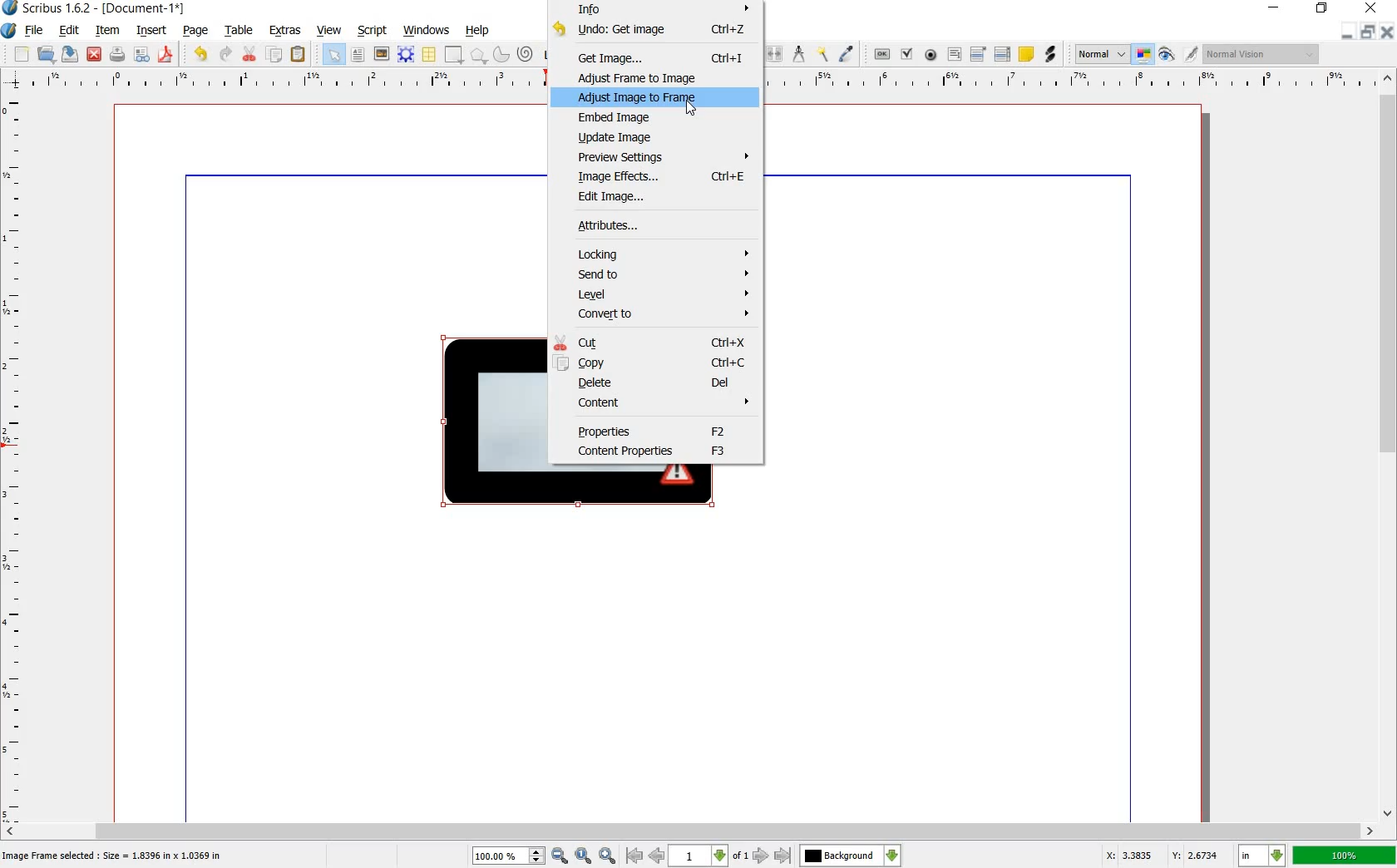 The height and width of the screenshot is (868, 1397). Describe the element at coordinates (613, 199) in the screenshot. I see `edit image` at that location.